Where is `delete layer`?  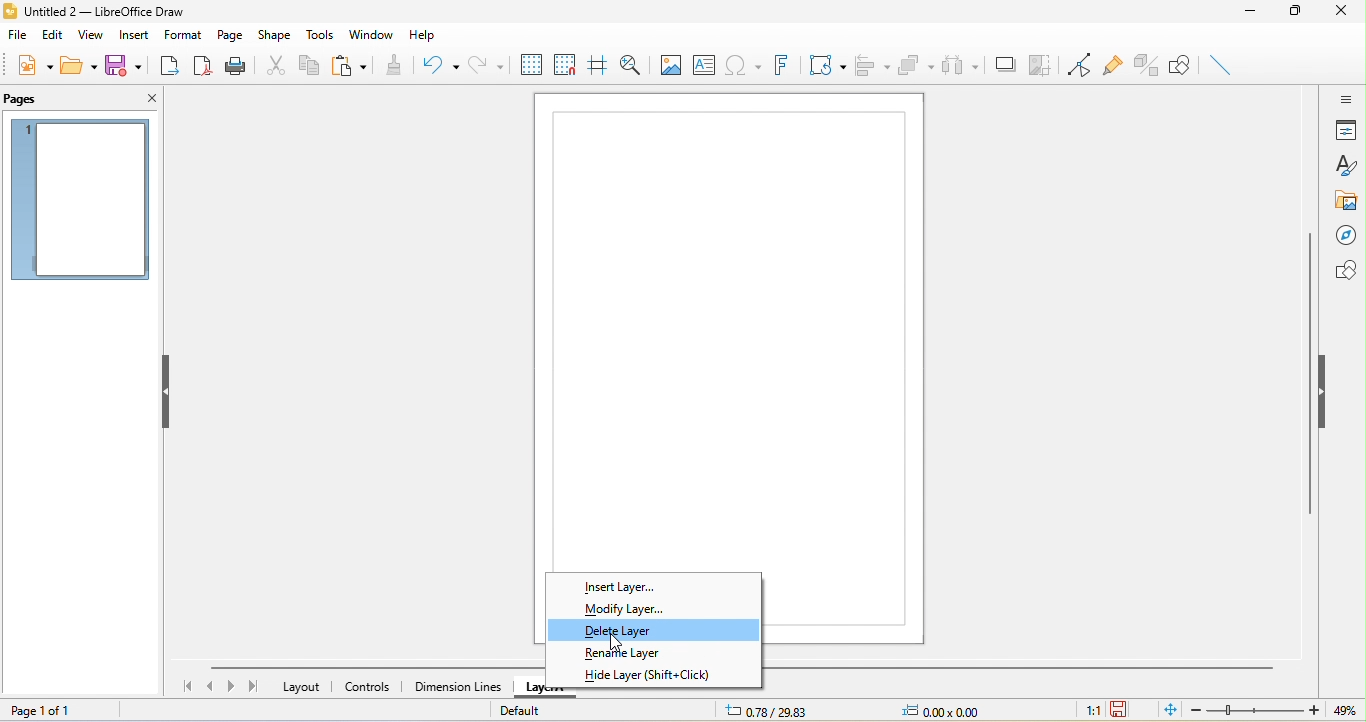 delete layer is located at coordinates (657, 629).